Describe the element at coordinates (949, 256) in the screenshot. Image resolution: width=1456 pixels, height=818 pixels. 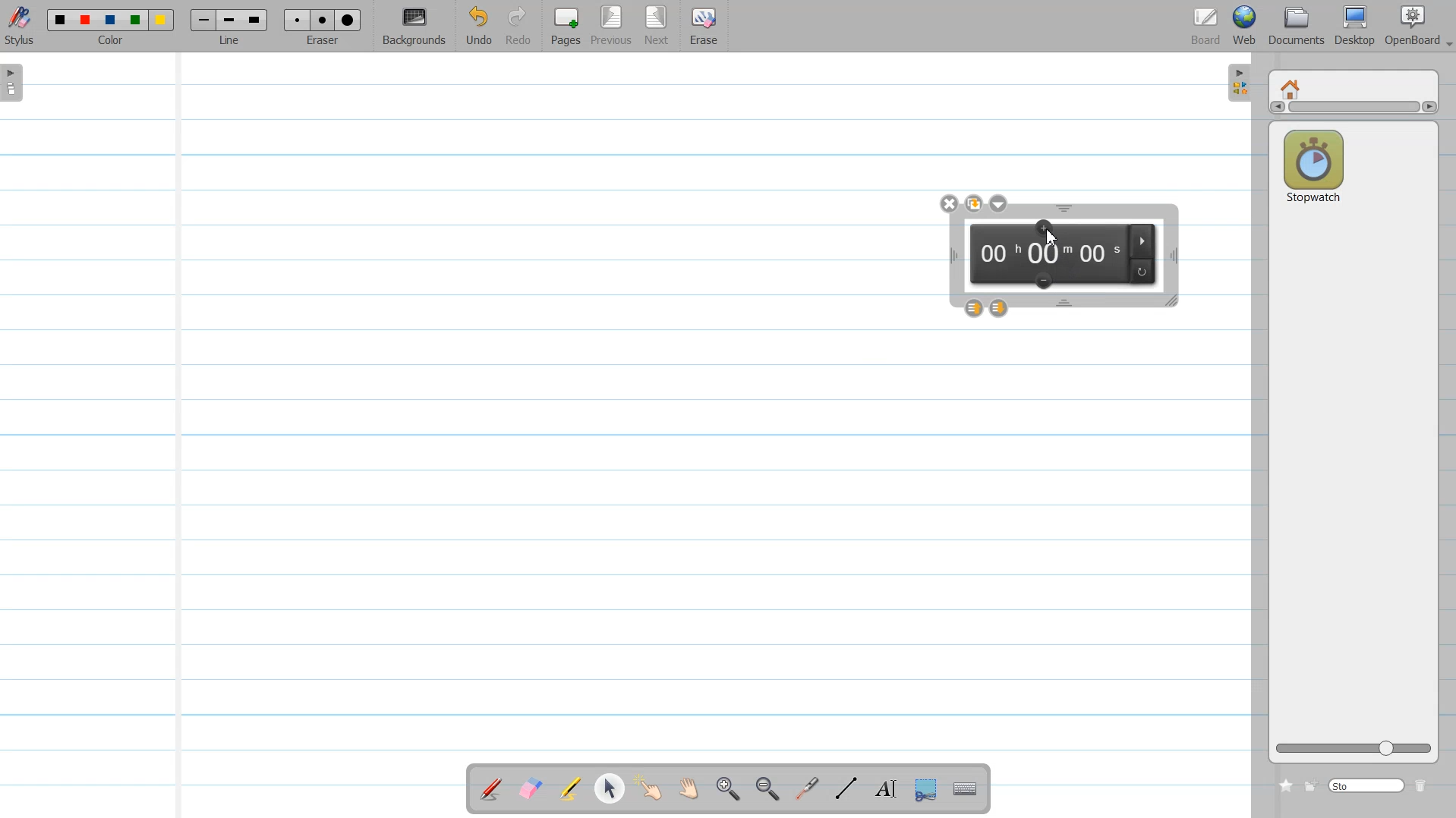
I see `Time window width adjustment` at that location.